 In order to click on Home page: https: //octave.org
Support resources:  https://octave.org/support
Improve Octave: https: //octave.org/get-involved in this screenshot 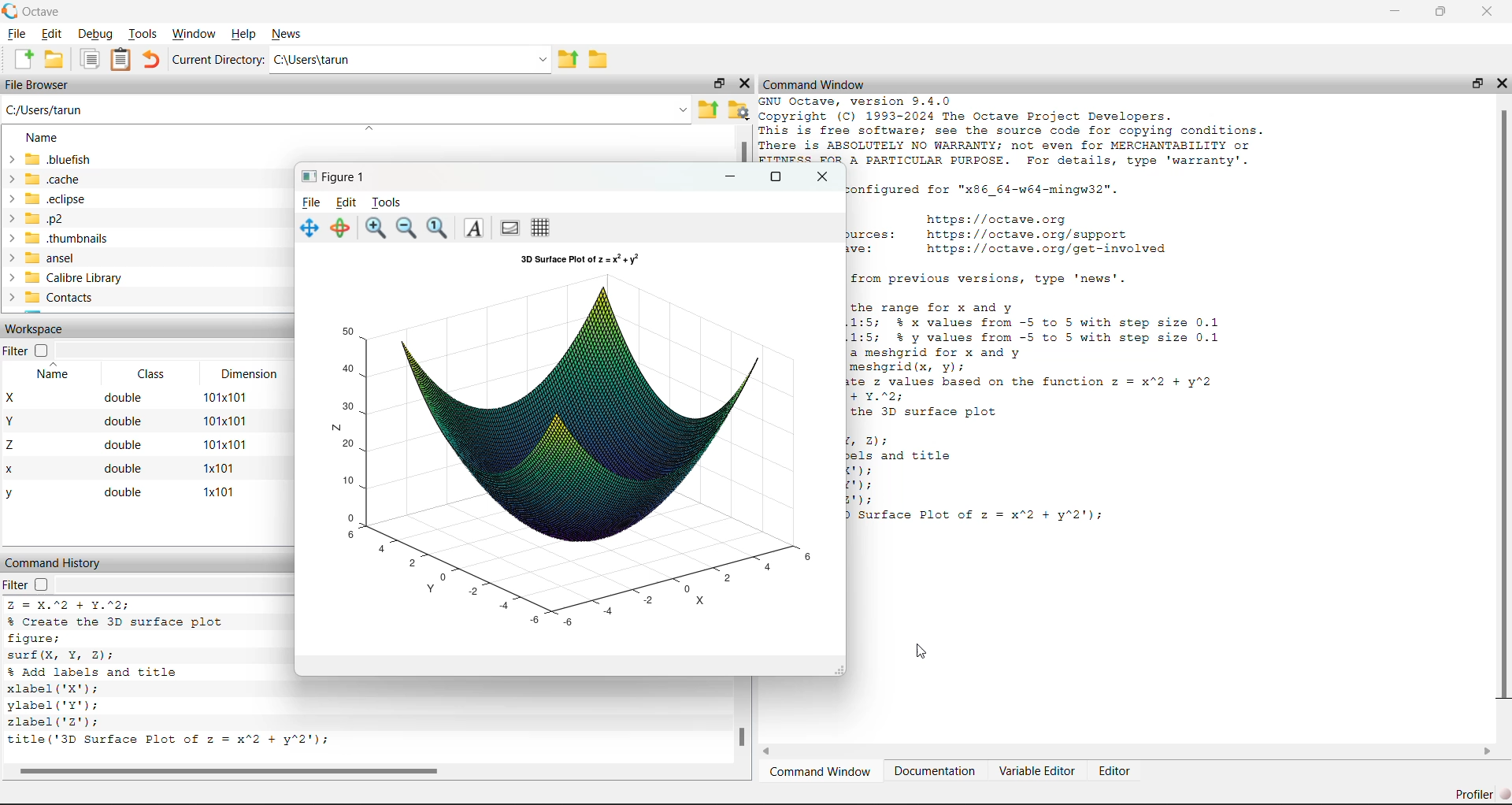, I will do `click(1013, 234)`.